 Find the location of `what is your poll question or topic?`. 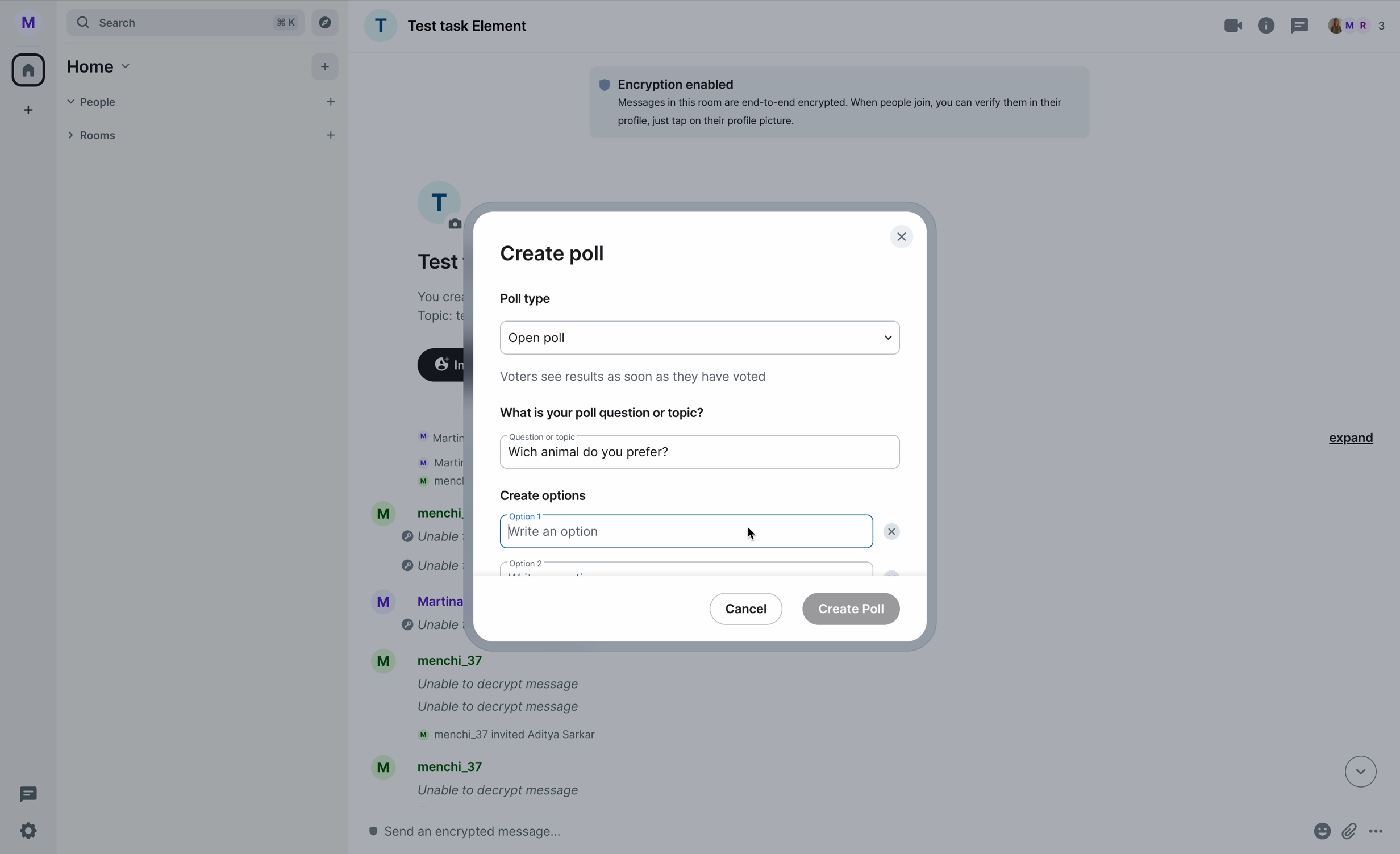

what is your poll question or topic? is located at coordinates (603, 411).